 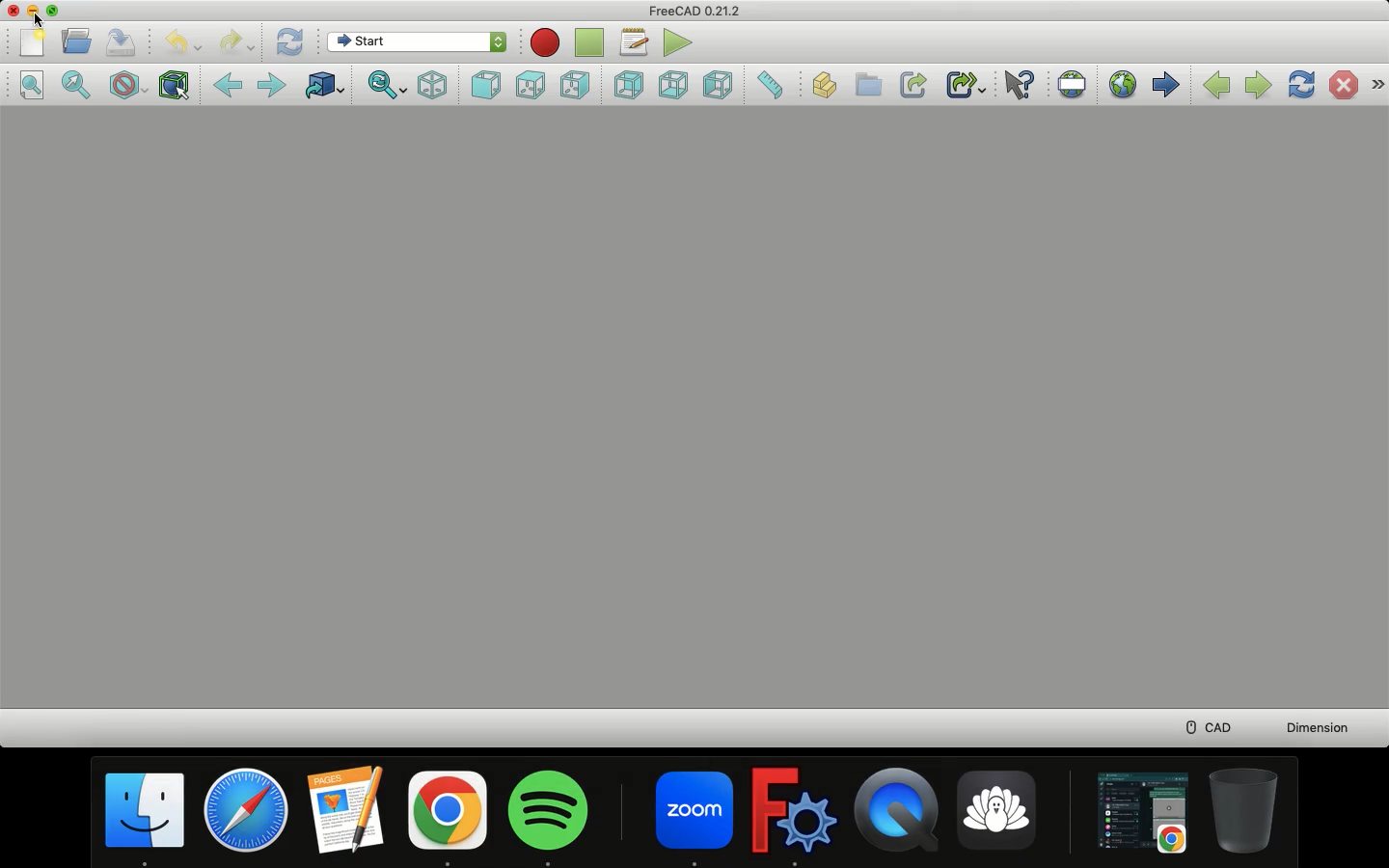 What do you see at coordinates (824, 81) in the screenshot?
I see `Create part` at bounding box center [824, 81].